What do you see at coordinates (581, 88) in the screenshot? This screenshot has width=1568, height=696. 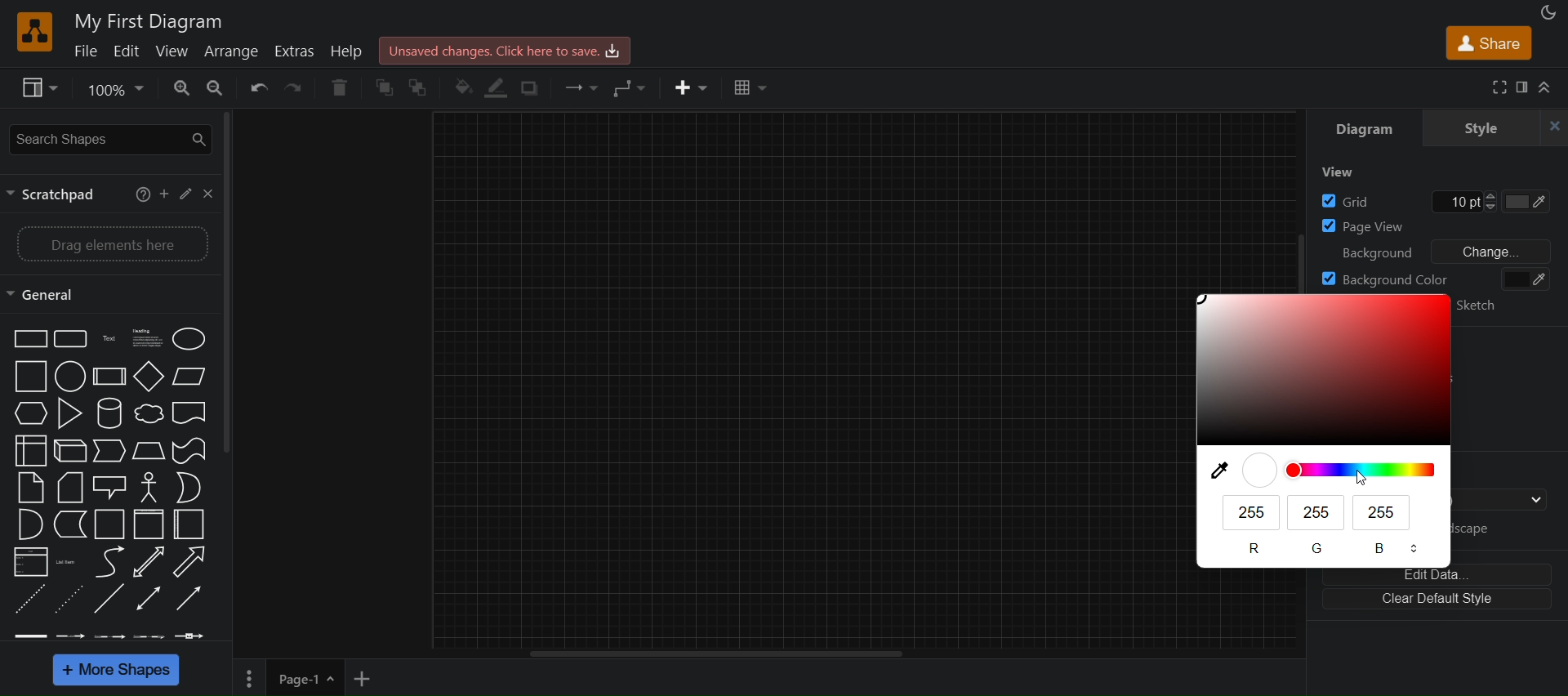 I see `connection` at bounding box center [581, 88].